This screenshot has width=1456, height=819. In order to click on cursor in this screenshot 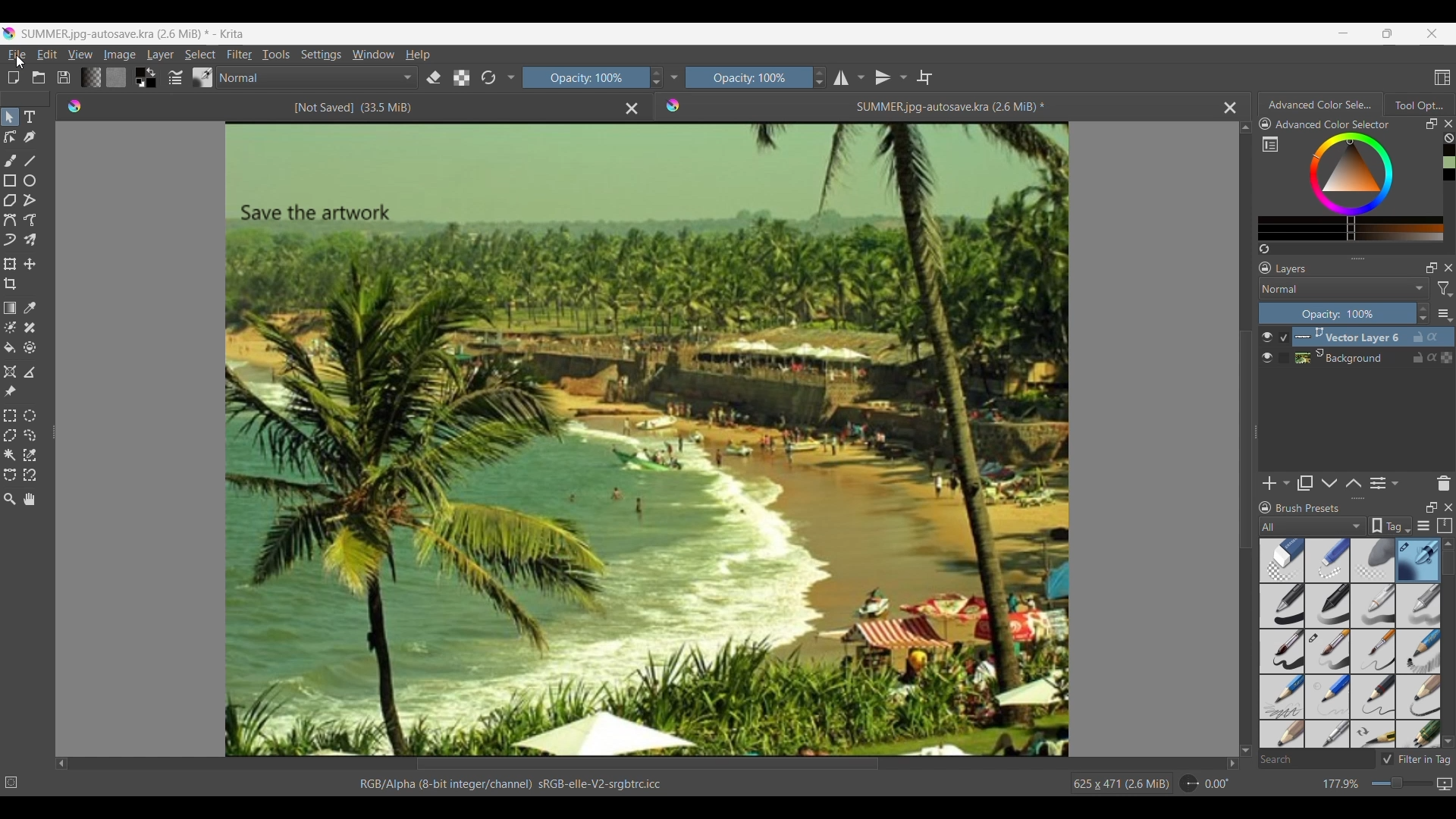, I will do `click(20, 60)`.